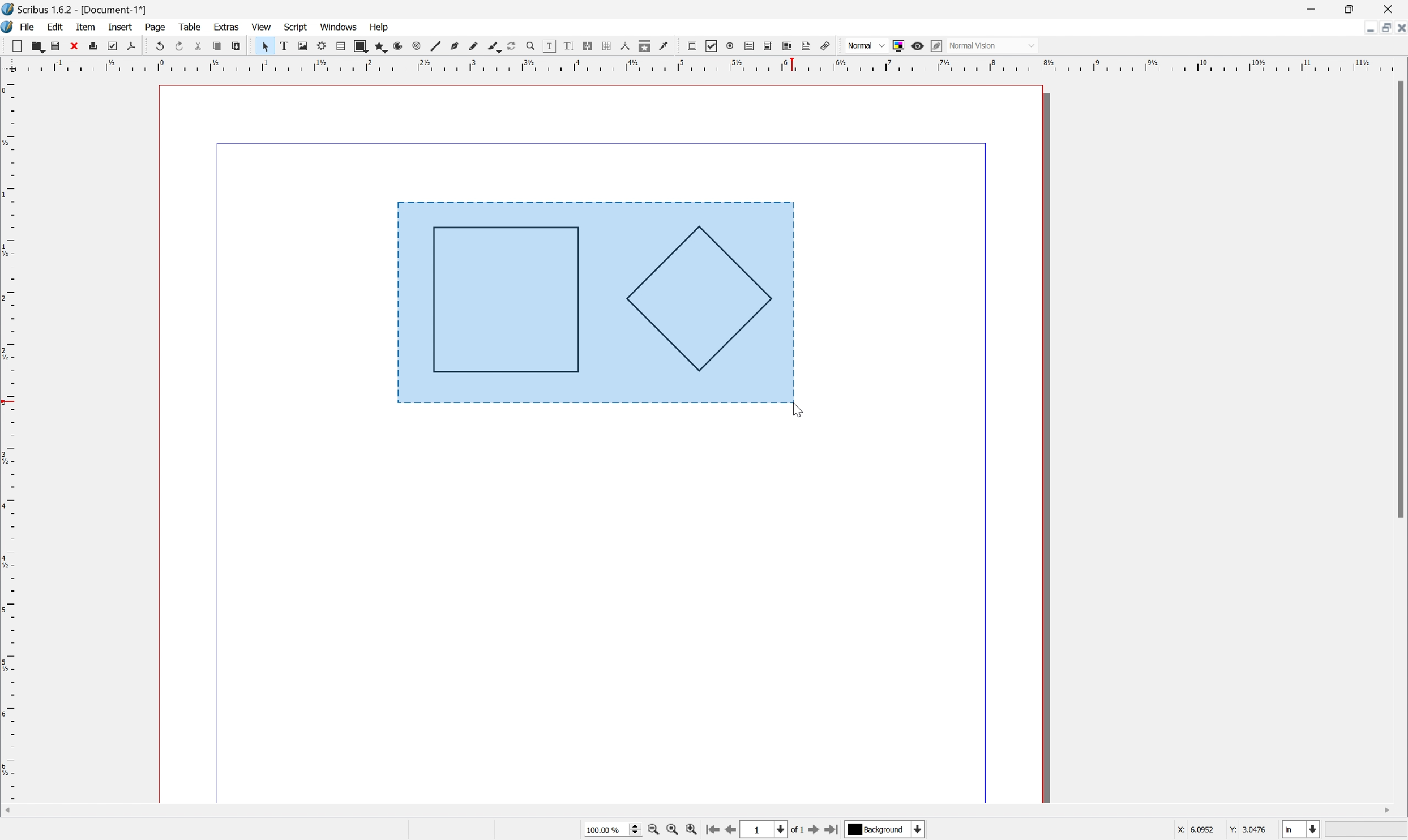  I want to click on pdf text field, so click(748, 45).